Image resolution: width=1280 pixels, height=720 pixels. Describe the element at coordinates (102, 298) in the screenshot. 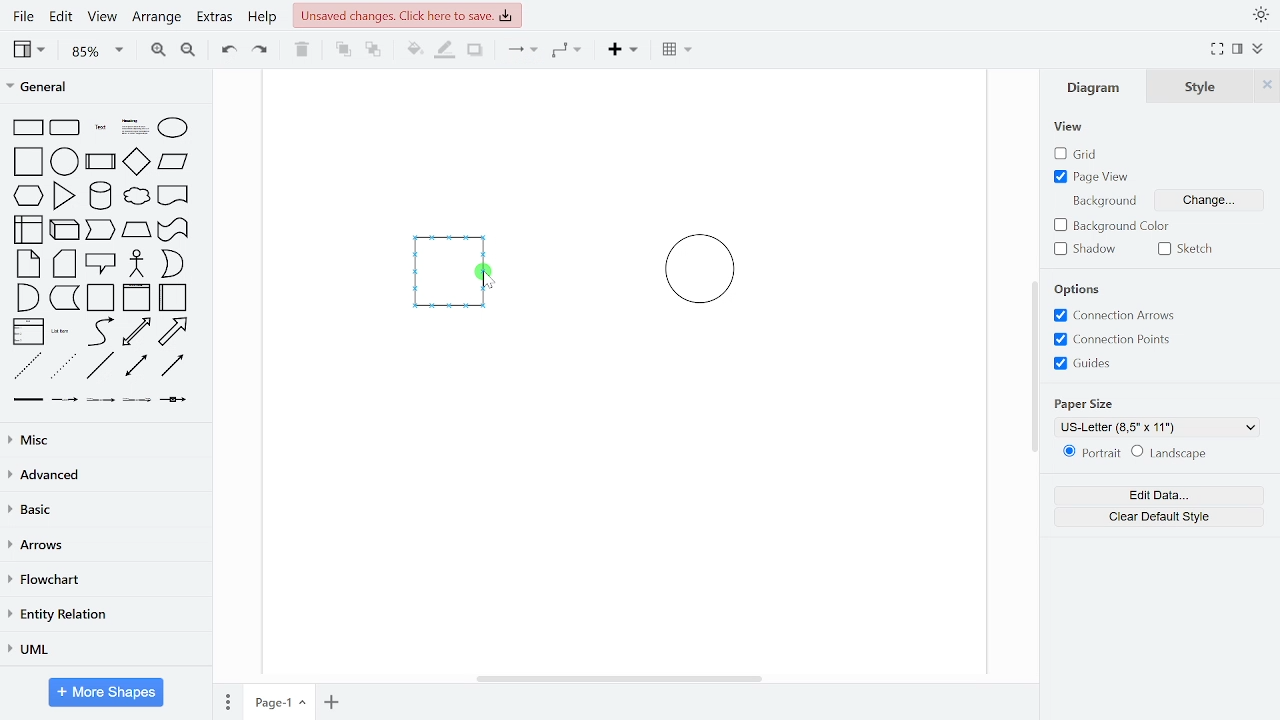

I see `container` at that location.